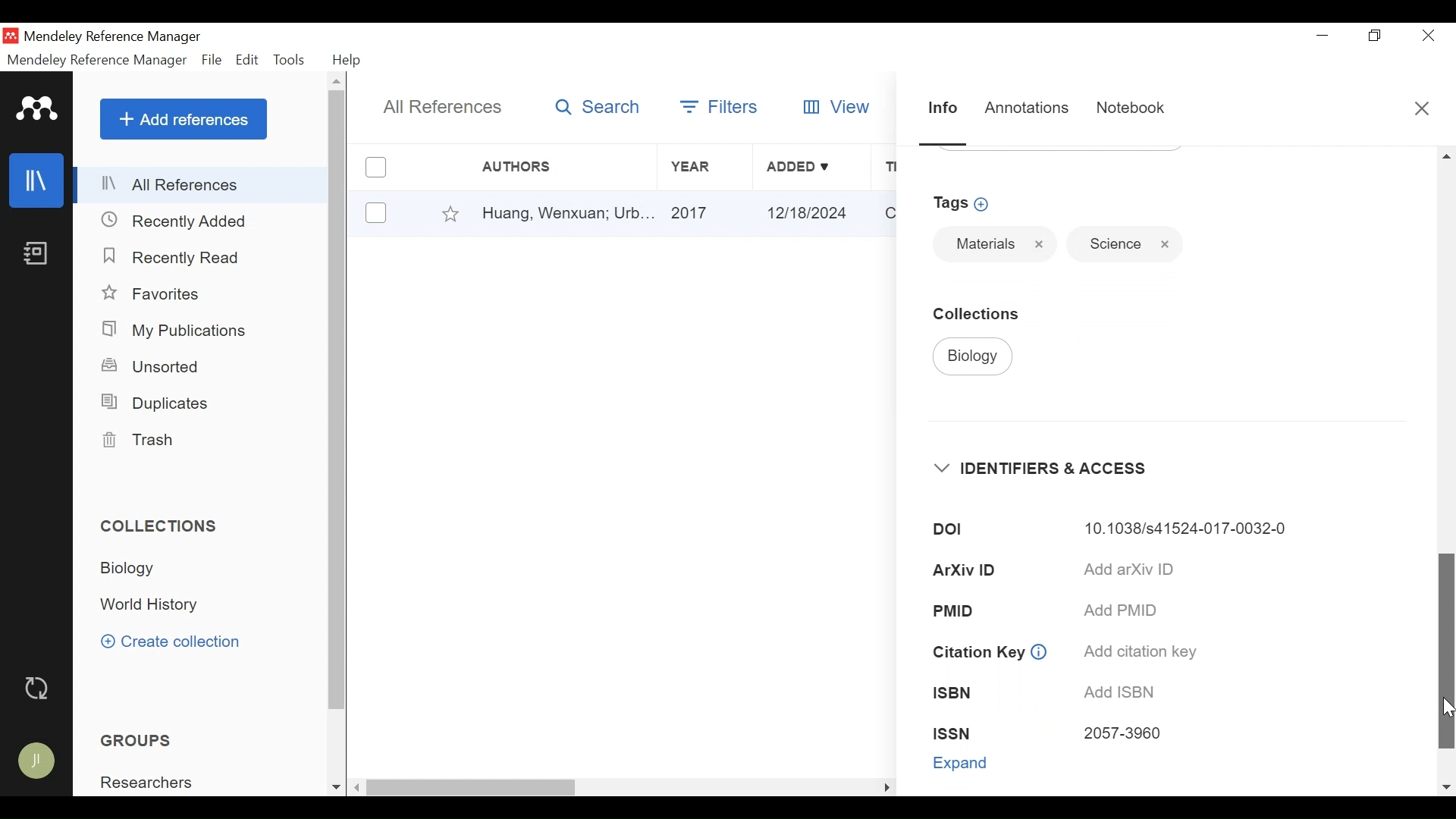 This screenshot has height=819, width=1456. What do you see at coordinates (170, 641) in the screenshot?
I see `Create Collection` at bounding box center [170, 641].